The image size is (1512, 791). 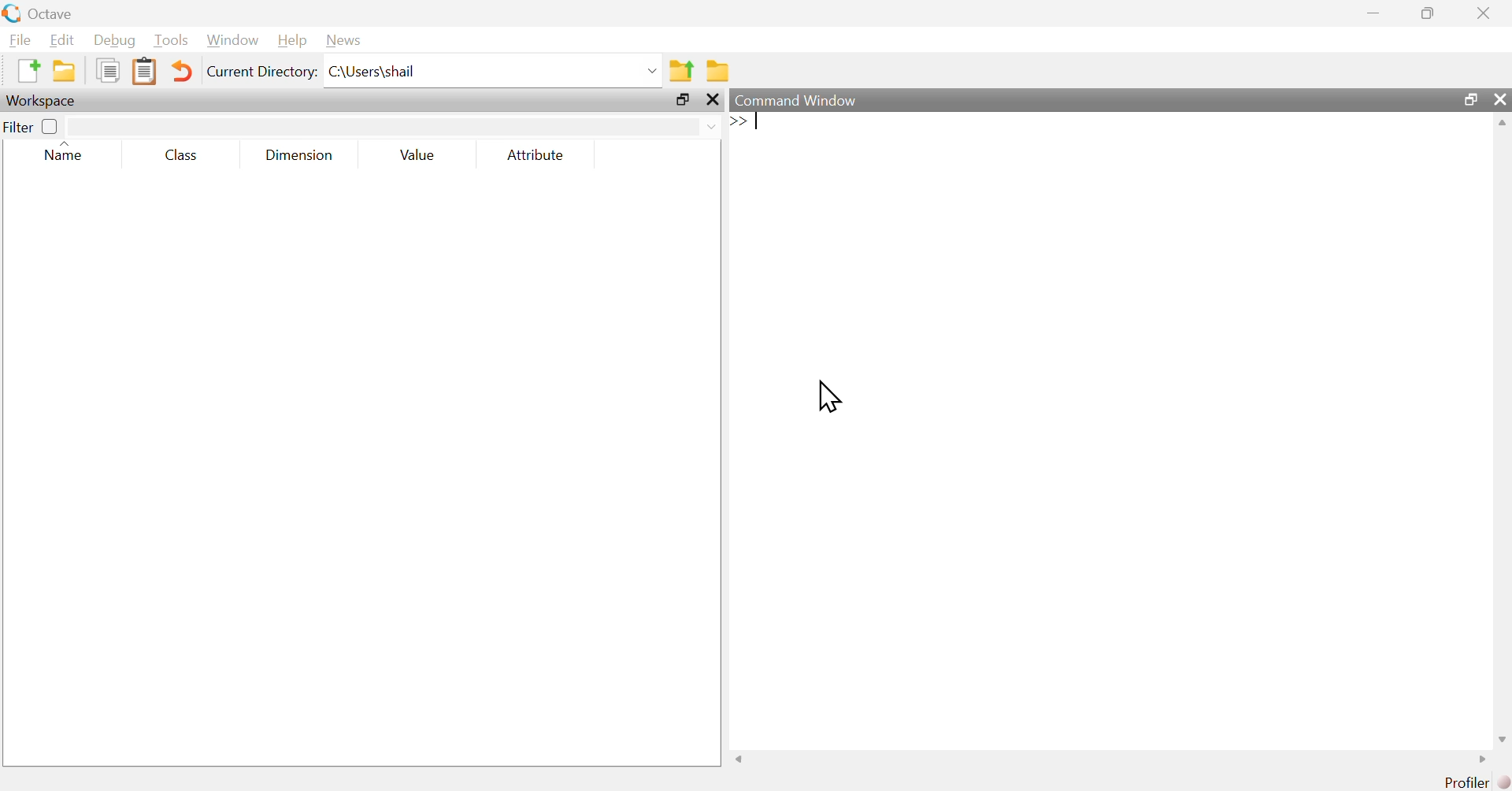 What do you see at coordinates (740, 758) in the screenshot?
I see `Scrollbar left` at bounding box center [740, 758].